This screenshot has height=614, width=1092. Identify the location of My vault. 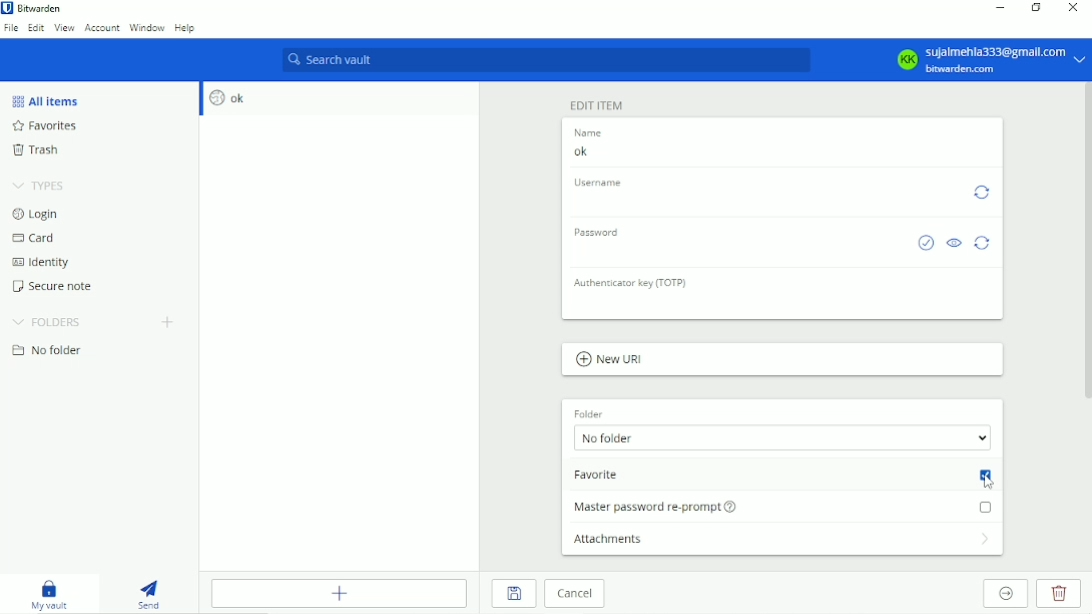
(53, 593).